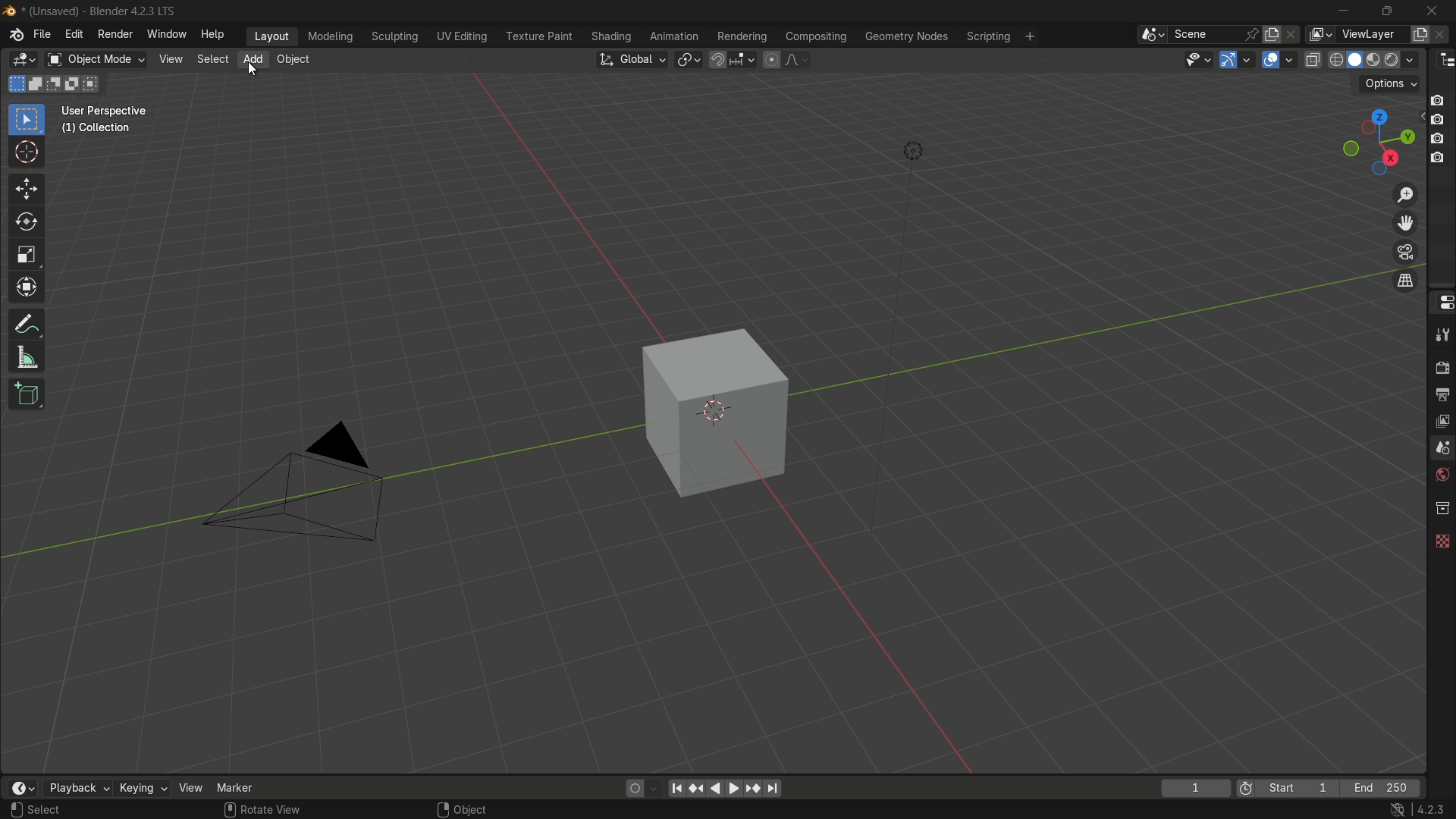 This screenshot has width=1456, height=819. What do you see at coordinates (236, 787) in the screenshot?
I see `marker` at bounding box center [236, 787].